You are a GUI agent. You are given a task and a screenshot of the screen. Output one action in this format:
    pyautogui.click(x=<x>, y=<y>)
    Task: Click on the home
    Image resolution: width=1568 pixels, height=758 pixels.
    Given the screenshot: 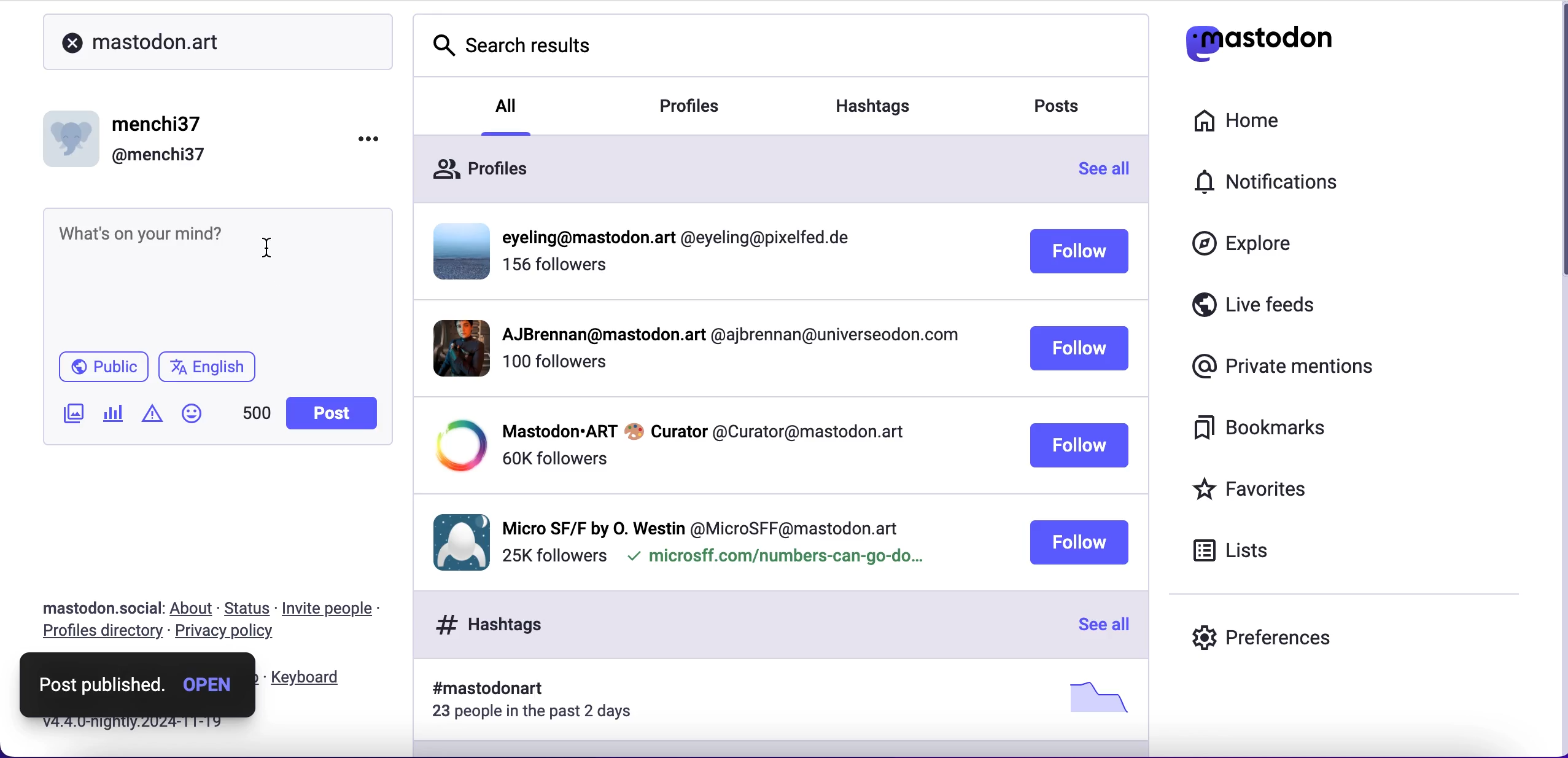 What is the action you would take?
    pyautogui.click(x=1252, y=122)
    